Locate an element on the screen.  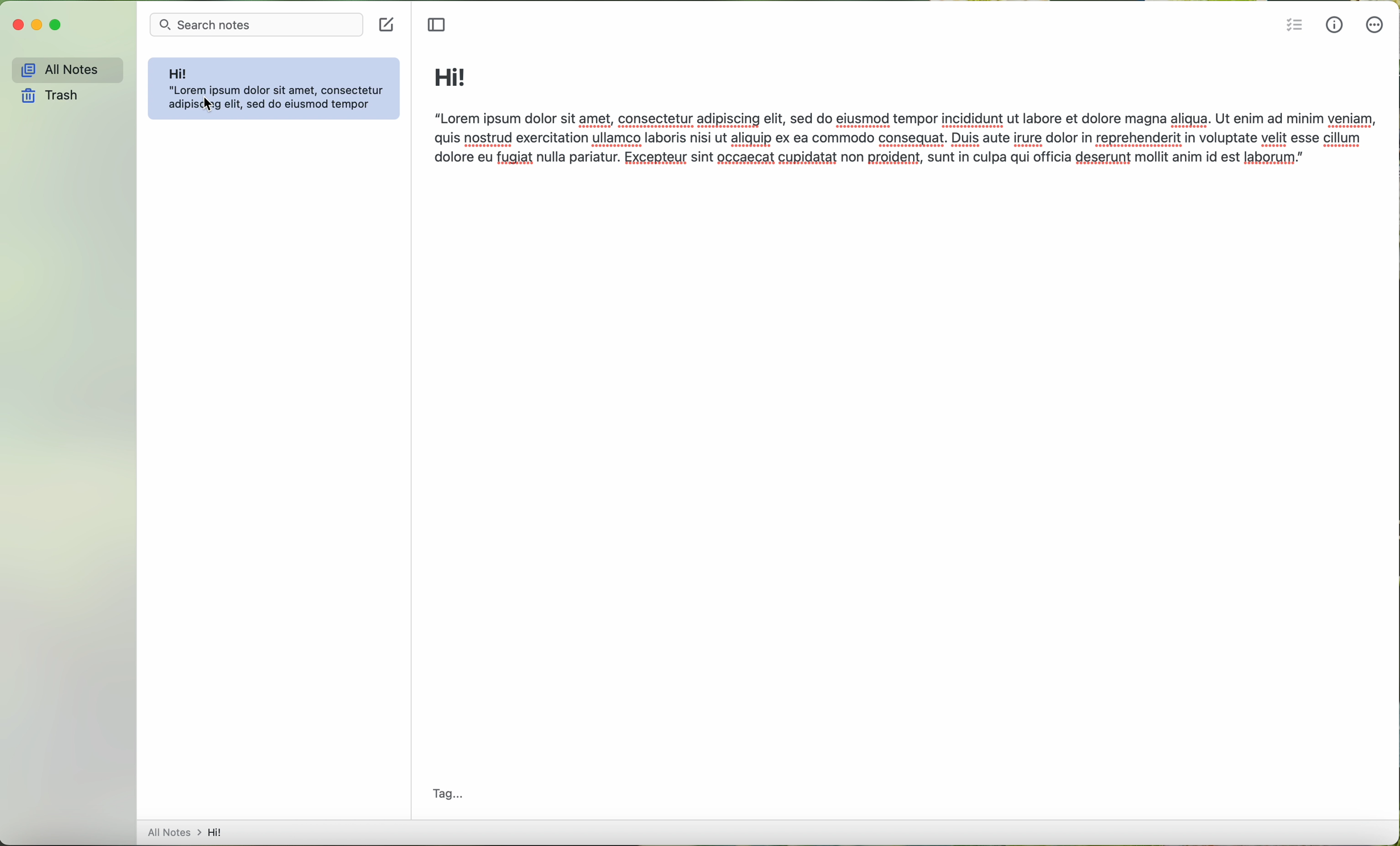
all notes is located at coordinates (64, 67).